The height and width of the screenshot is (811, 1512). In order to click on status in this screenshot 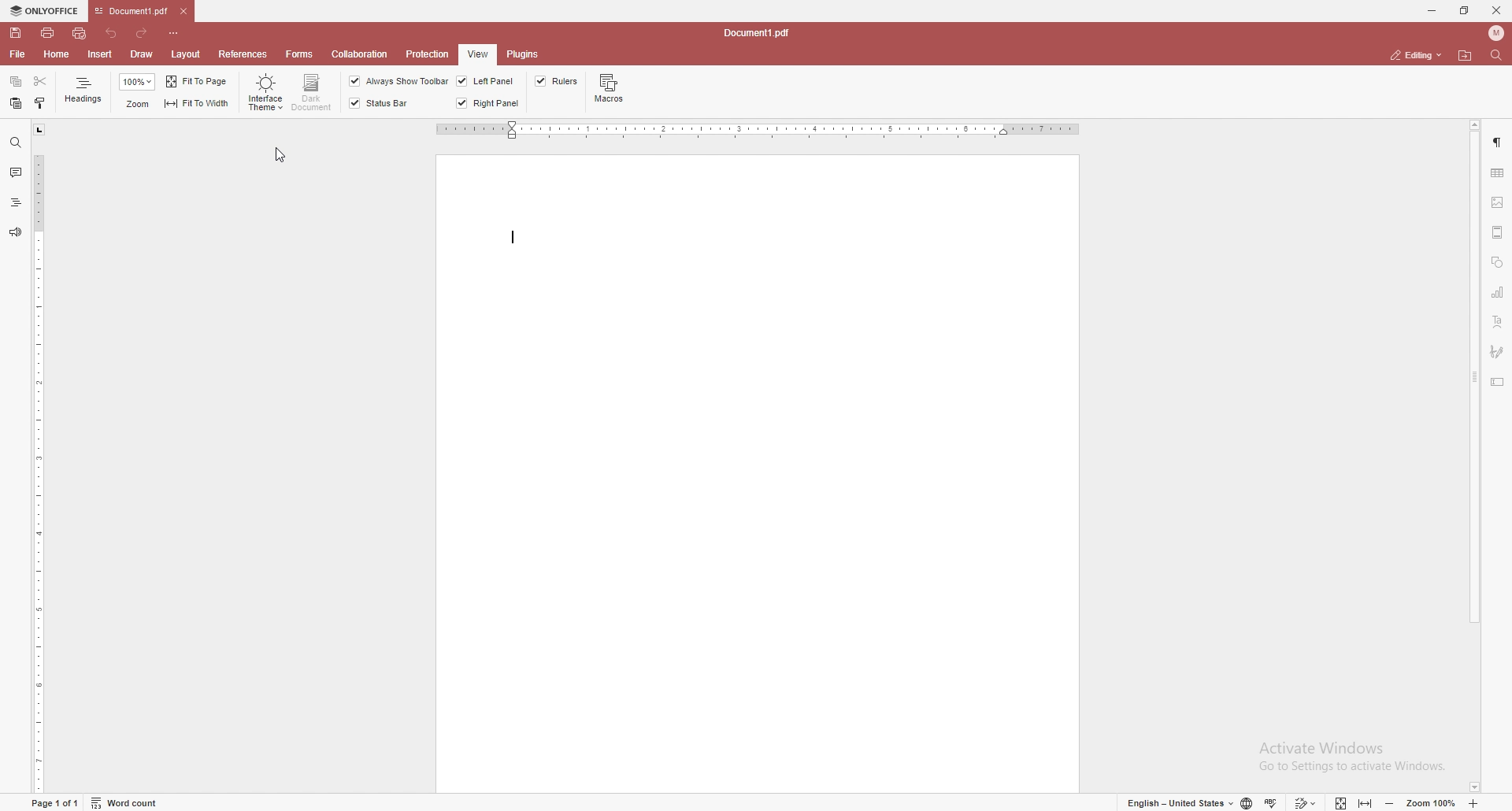, I will do `click(1417, 55)`.